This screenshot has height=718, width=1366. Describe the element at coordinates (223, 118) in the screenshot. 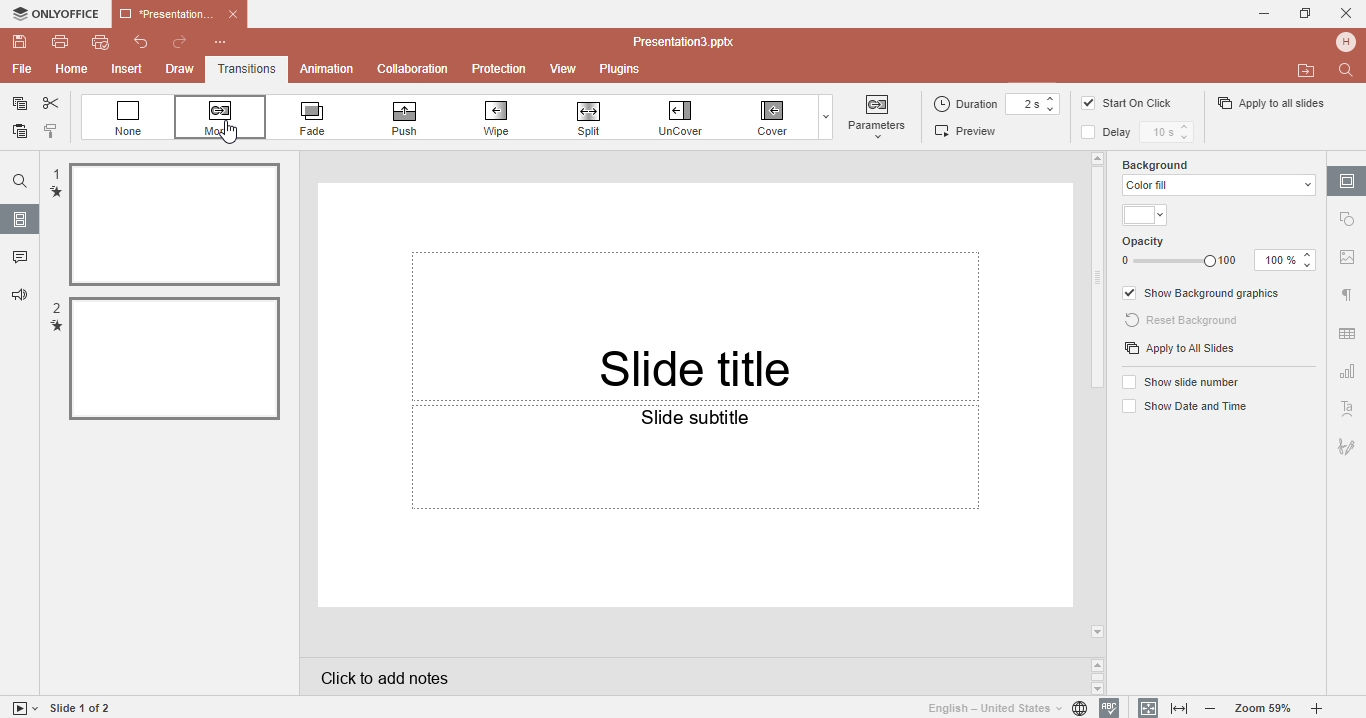

I see `Morph` at that location.